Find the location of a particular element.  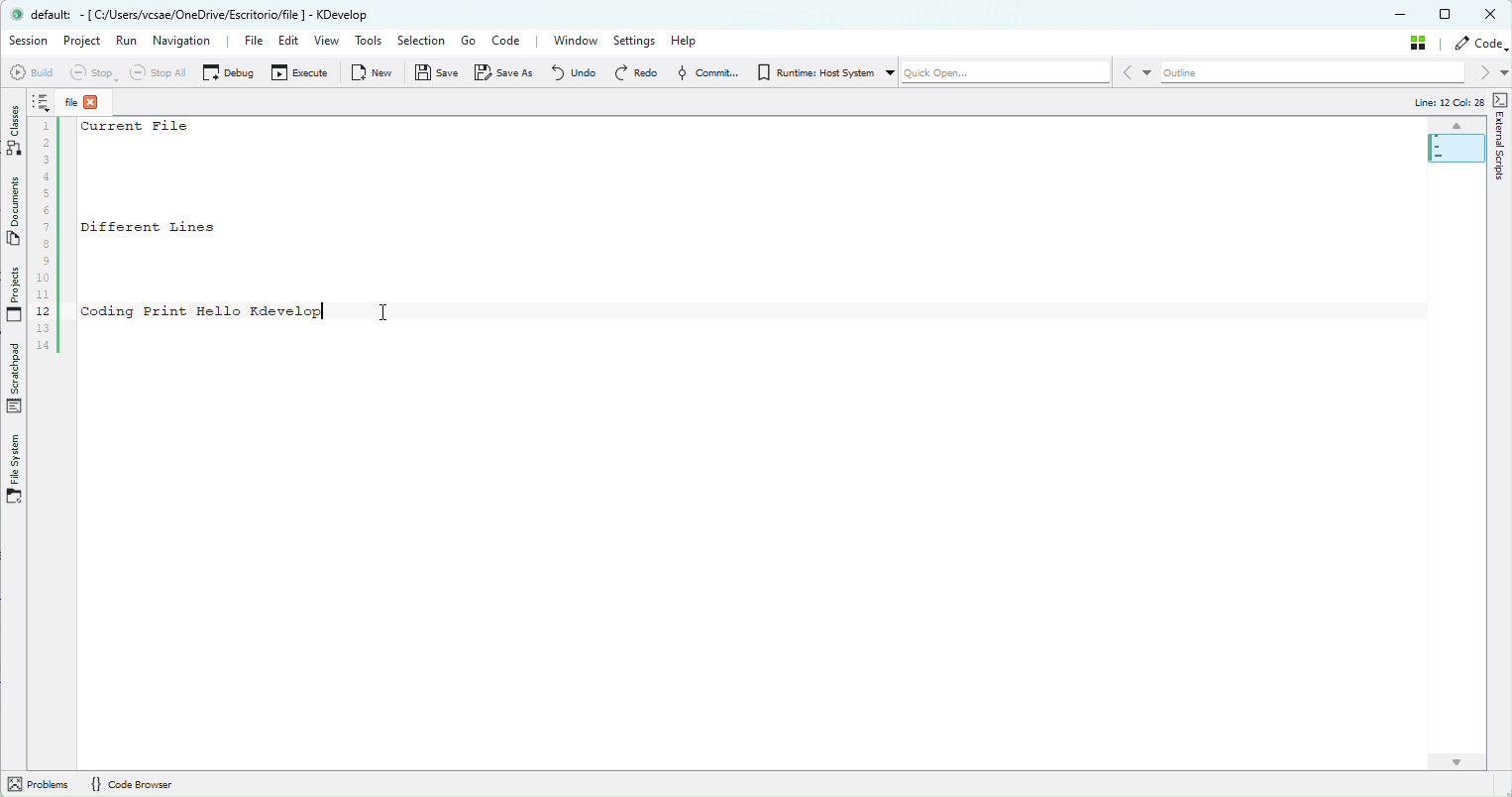

Navigation is located at coordinates (189, 43).